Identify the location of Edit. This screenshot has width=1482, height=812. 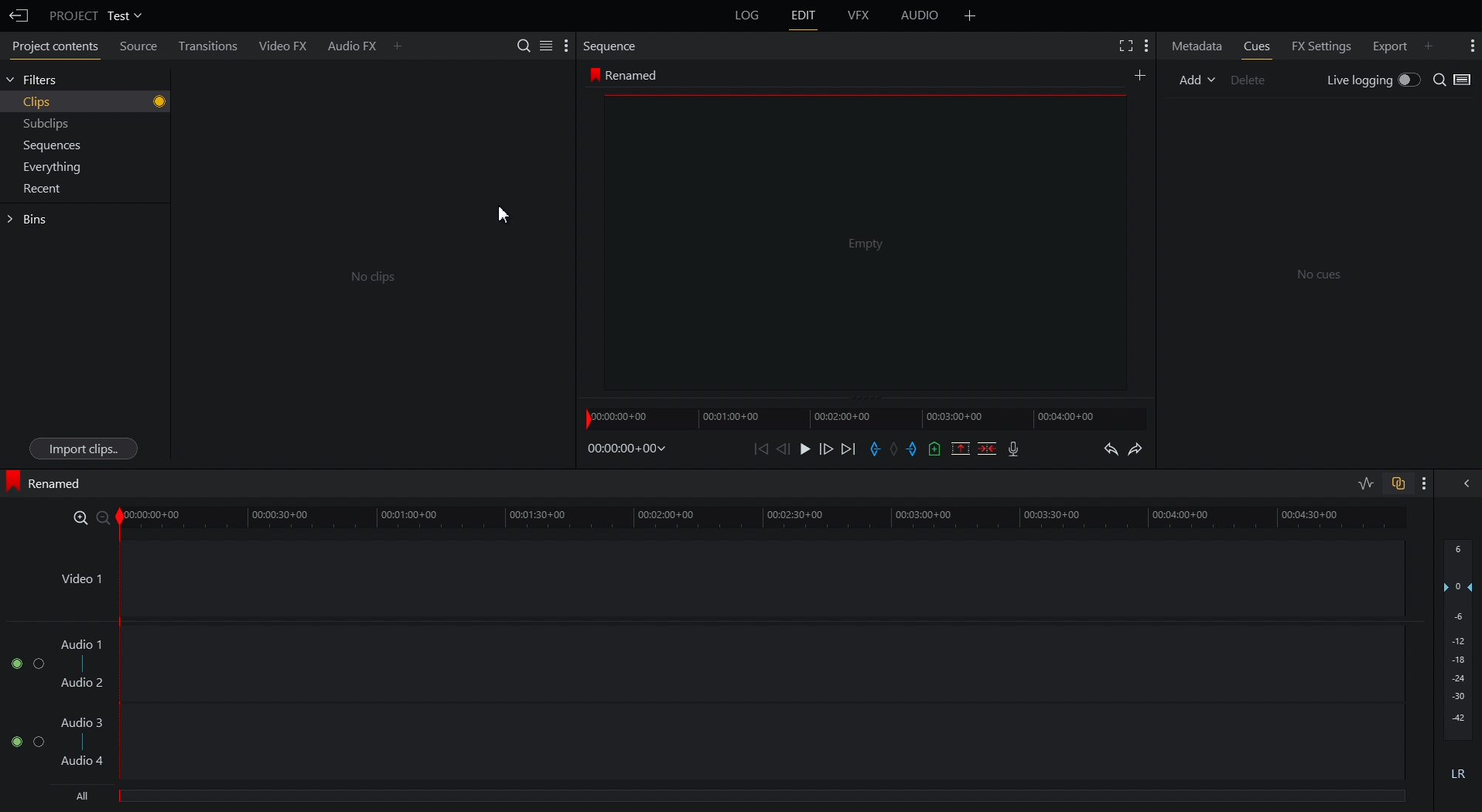
(807, 19).